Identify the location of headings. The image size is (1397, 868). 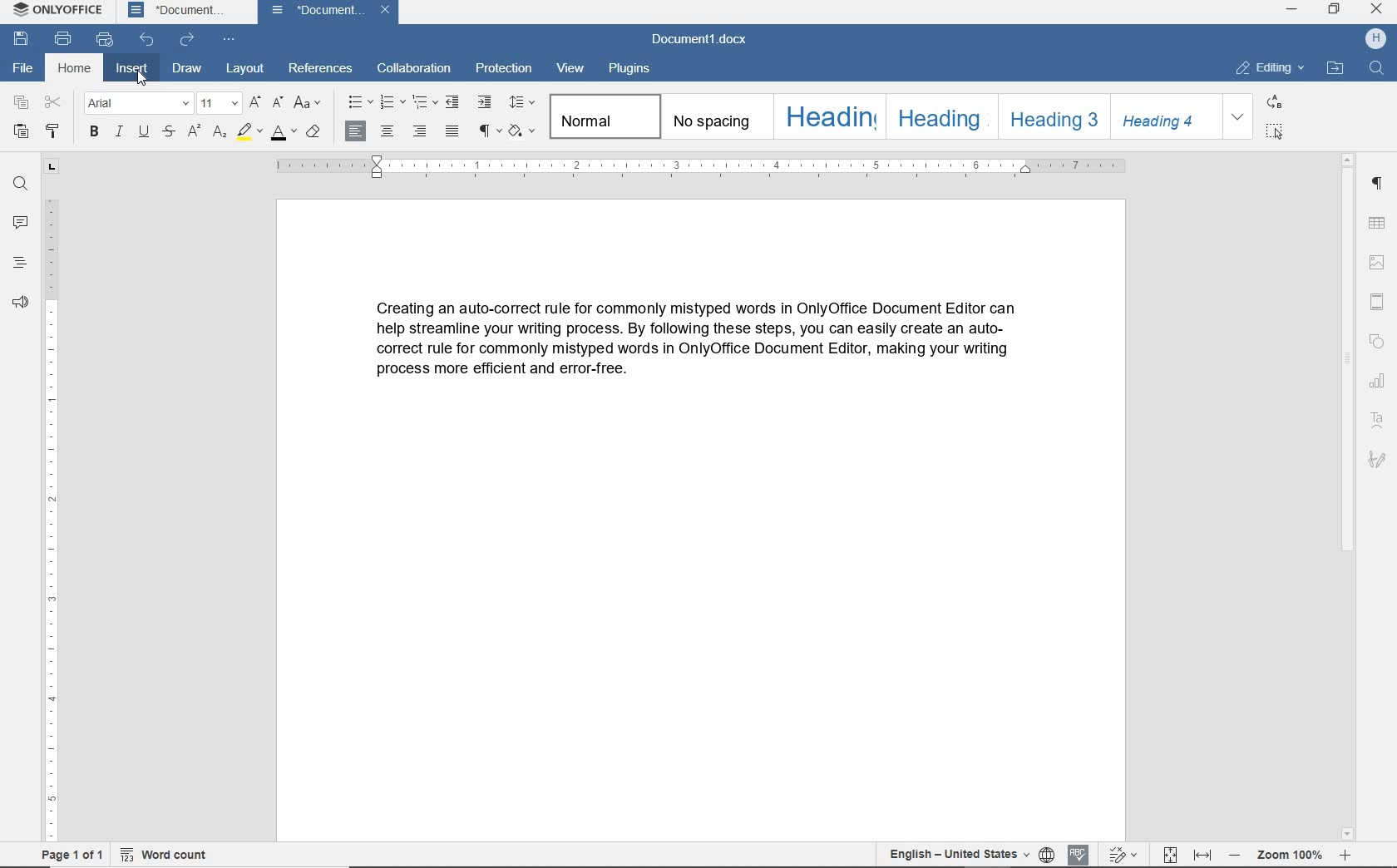
(18, 264).